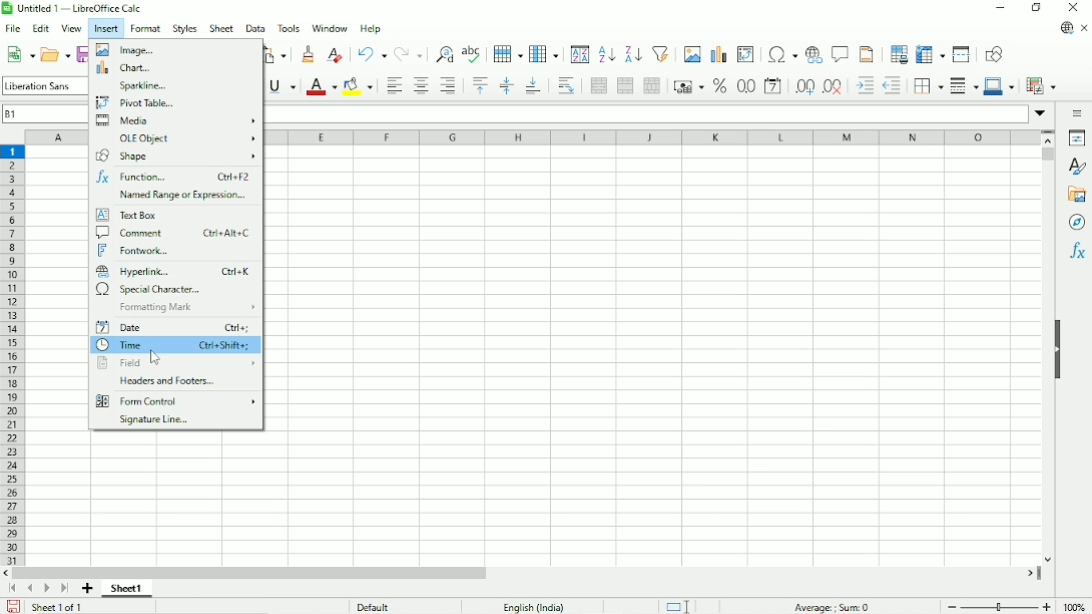  What do you see at coordinates (165, 380) in the screenshot?
I see `Headers and footers` at bounding box center [165, 380].